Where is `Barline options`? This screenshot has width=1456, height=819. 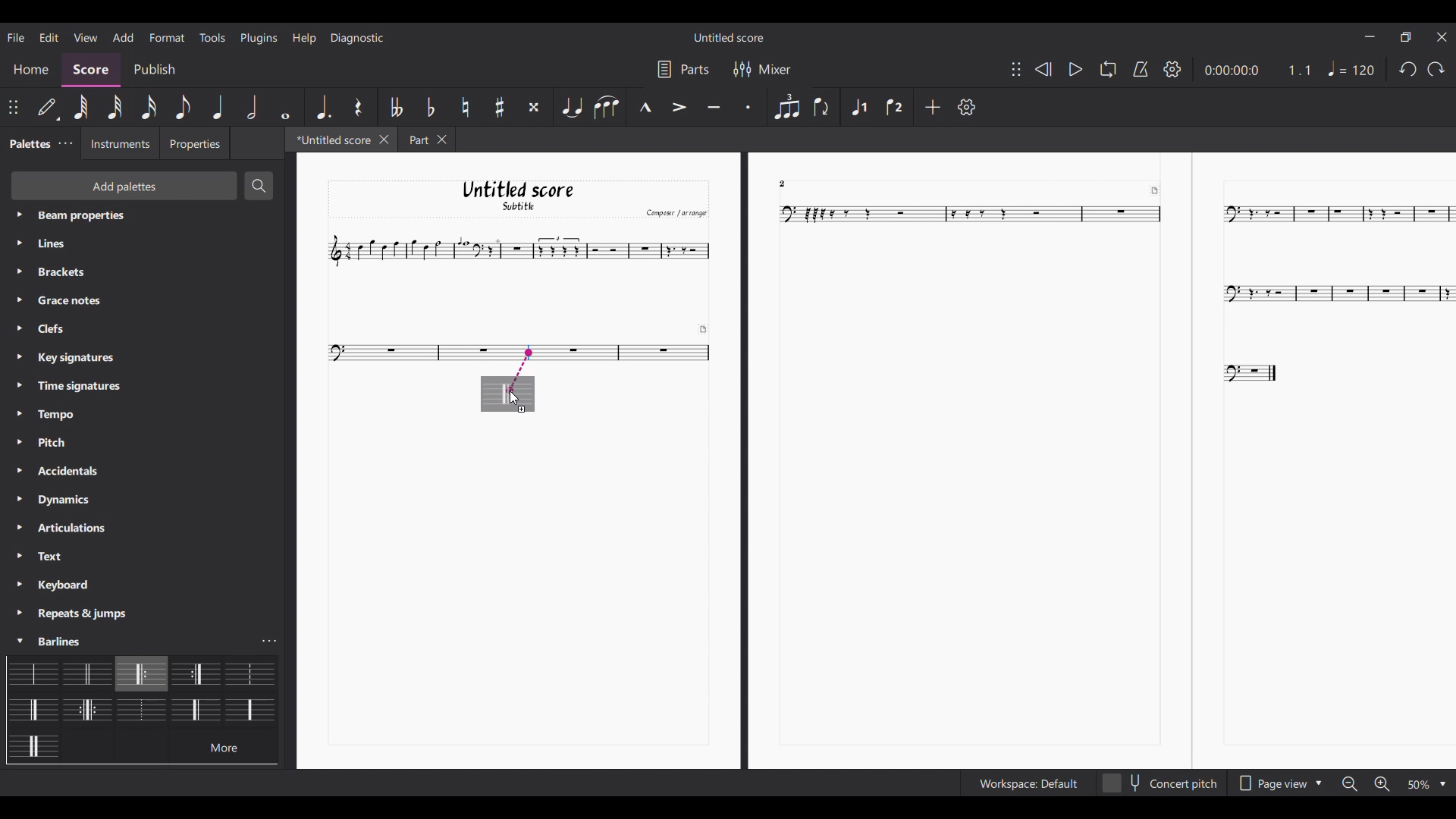
Barline options is located at coordinates (89, 711).